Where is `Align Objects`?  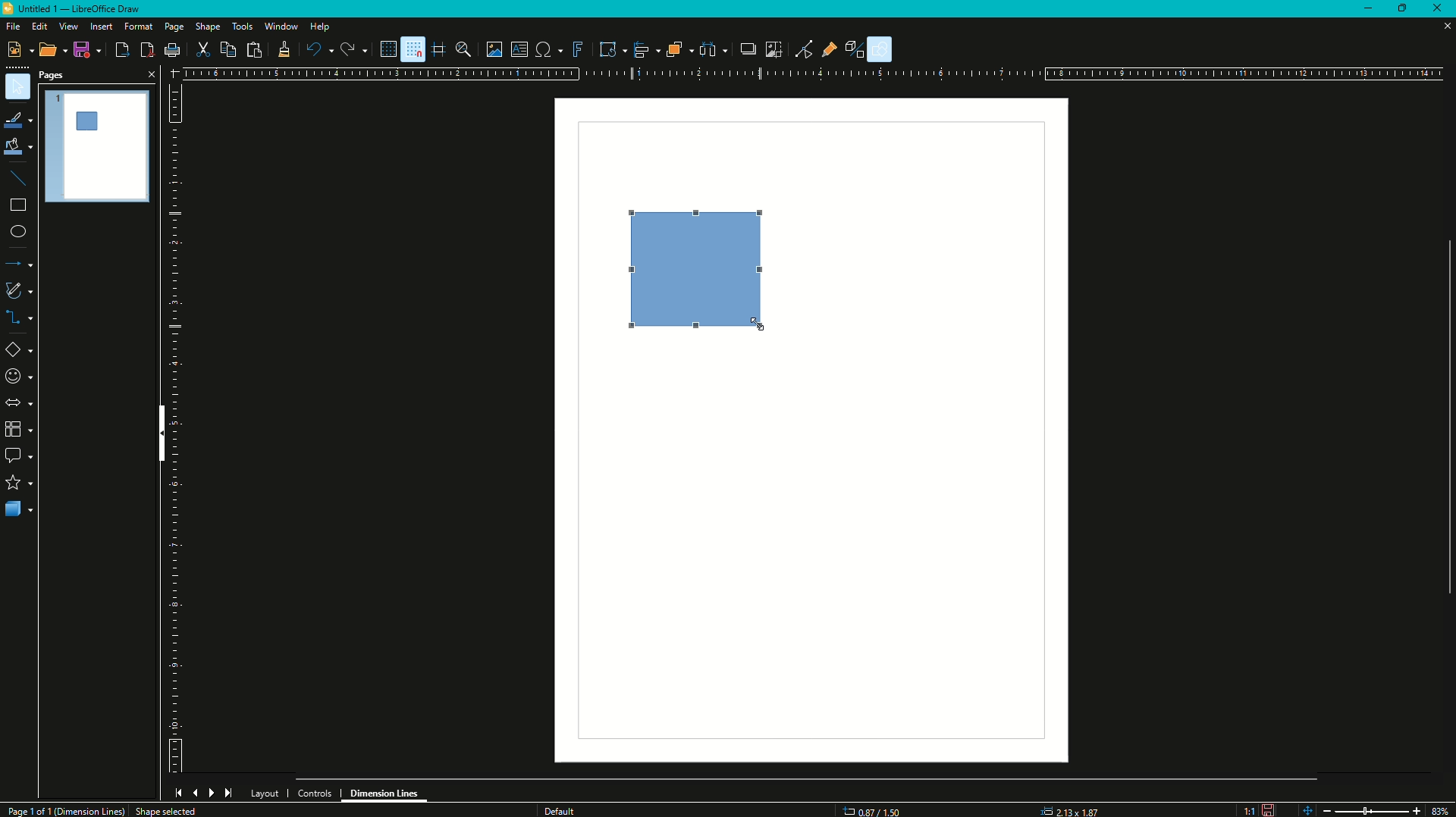 Align Objects is located at coordinates (643, 50).